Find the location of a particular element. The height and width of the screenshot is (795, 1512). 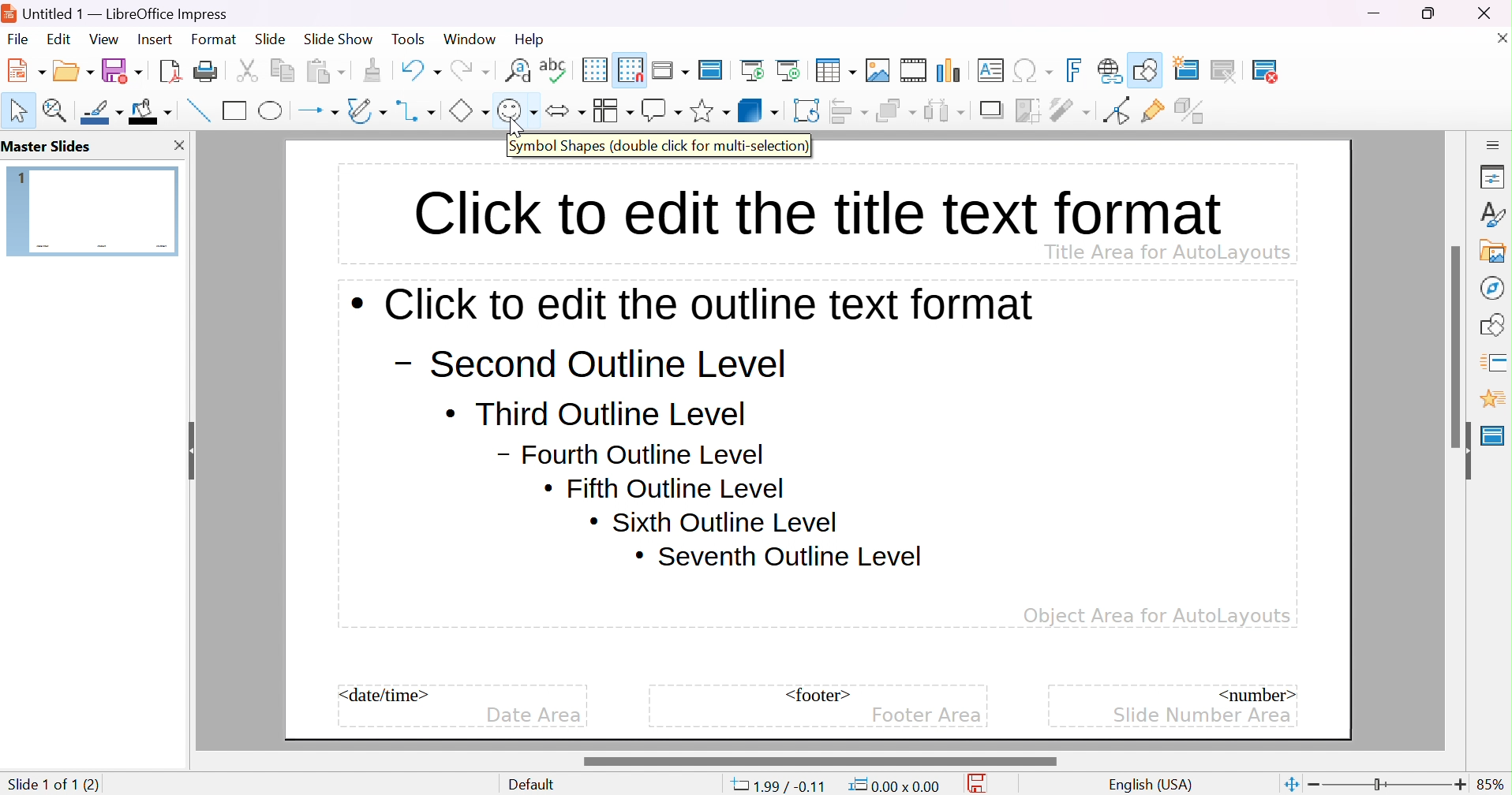

display grid is located at coordinates (593, 69).